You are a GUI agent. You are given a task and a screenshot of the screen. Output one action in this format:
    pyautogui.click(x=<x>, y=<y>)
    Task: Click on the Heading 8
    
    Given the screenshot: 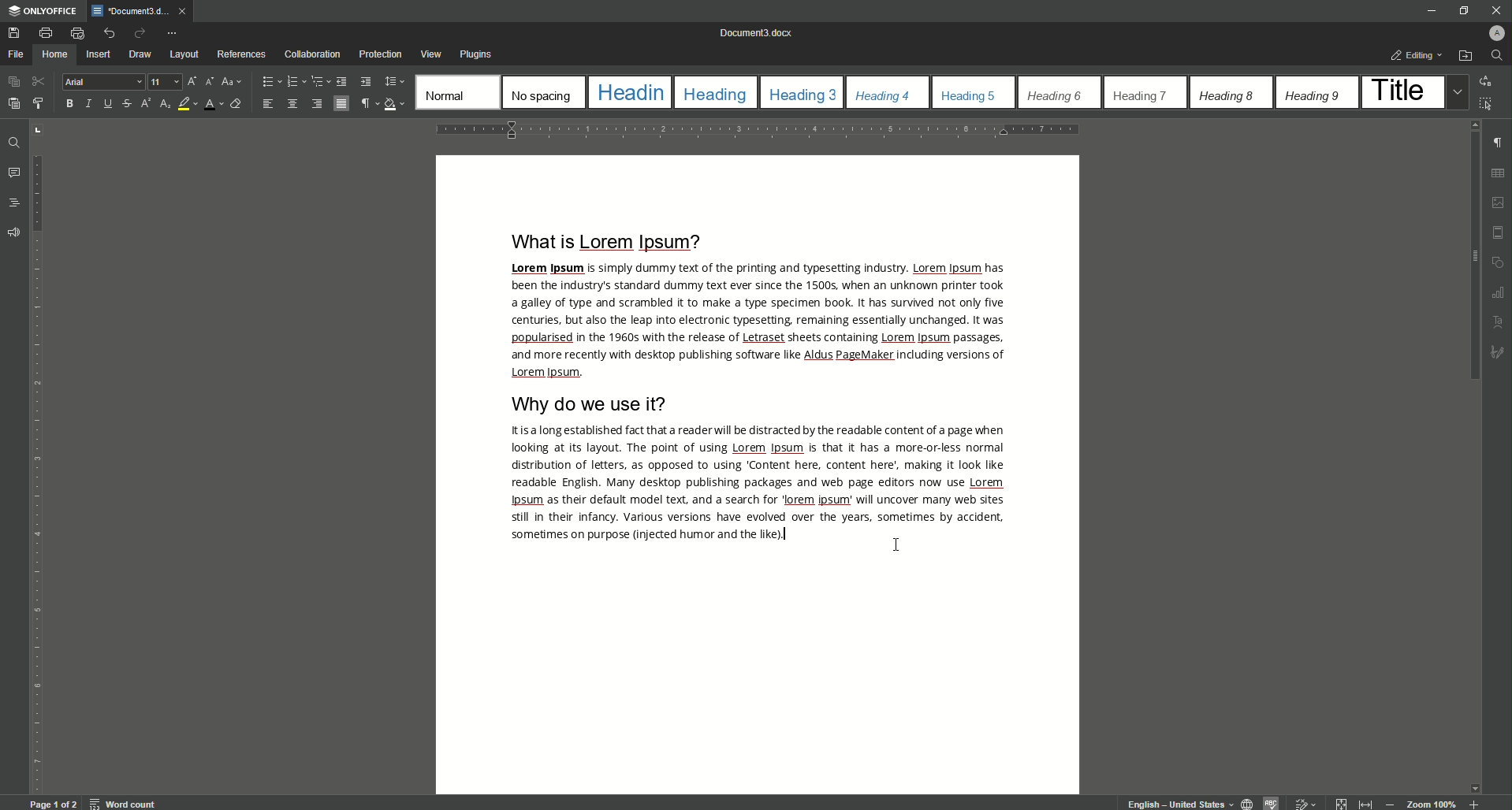 What is the action you would take?
    pyautogui.click(x=1227, y=94)
    